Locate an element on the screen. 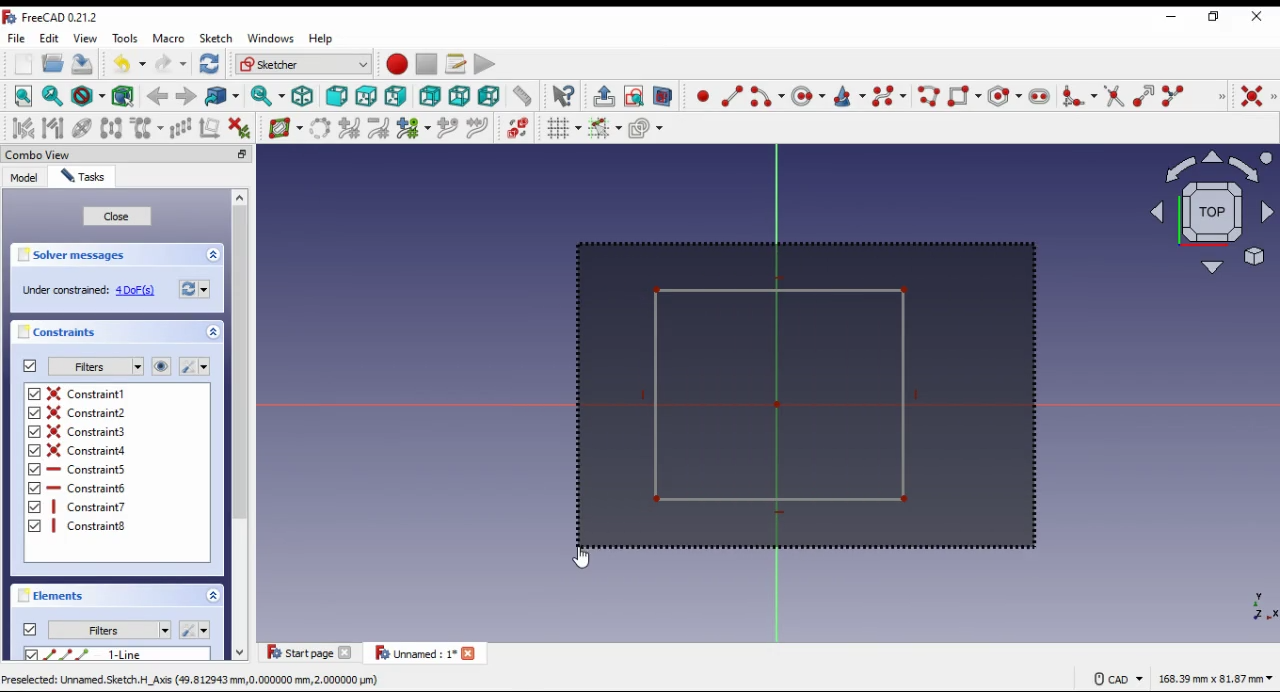 Image resolution: width=1280 pixels, height=692 pixels. refresh is located at coordinates (195, 288).